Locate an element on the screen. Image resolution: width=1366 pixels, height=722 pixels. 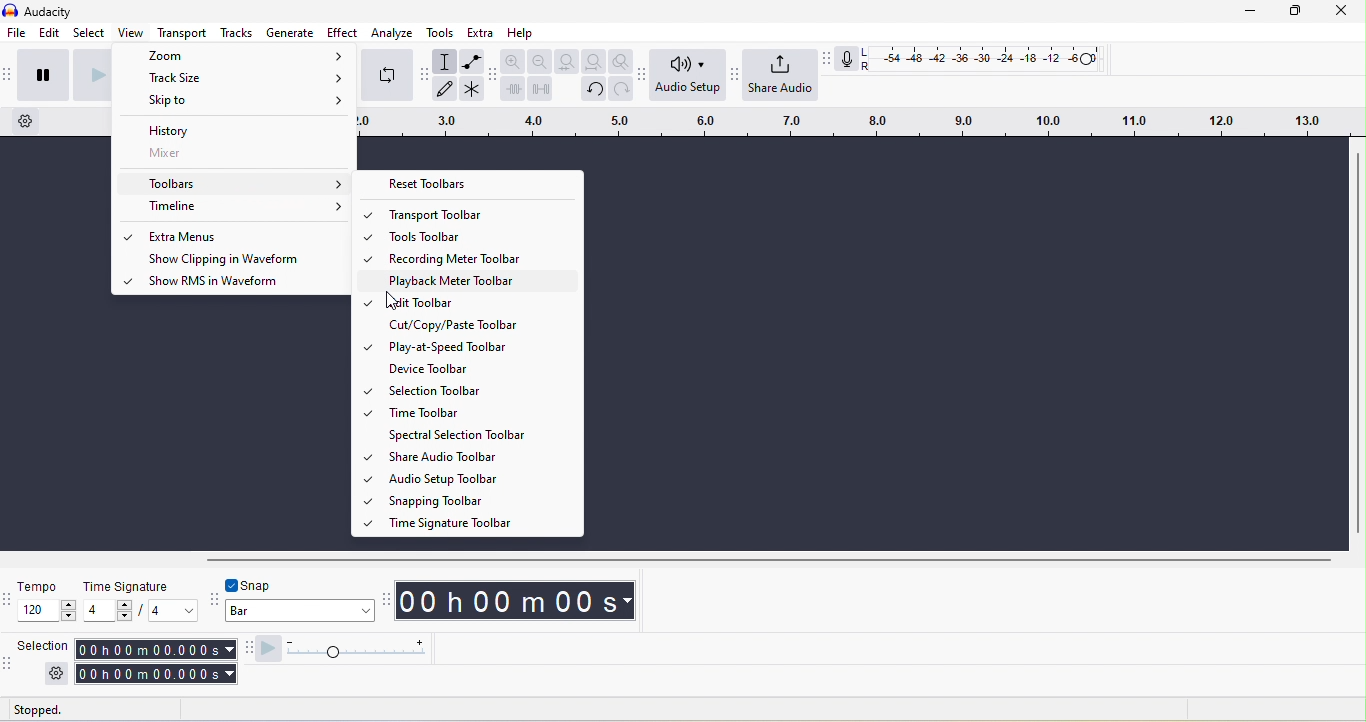
close is located at coordinates (1342, 11).